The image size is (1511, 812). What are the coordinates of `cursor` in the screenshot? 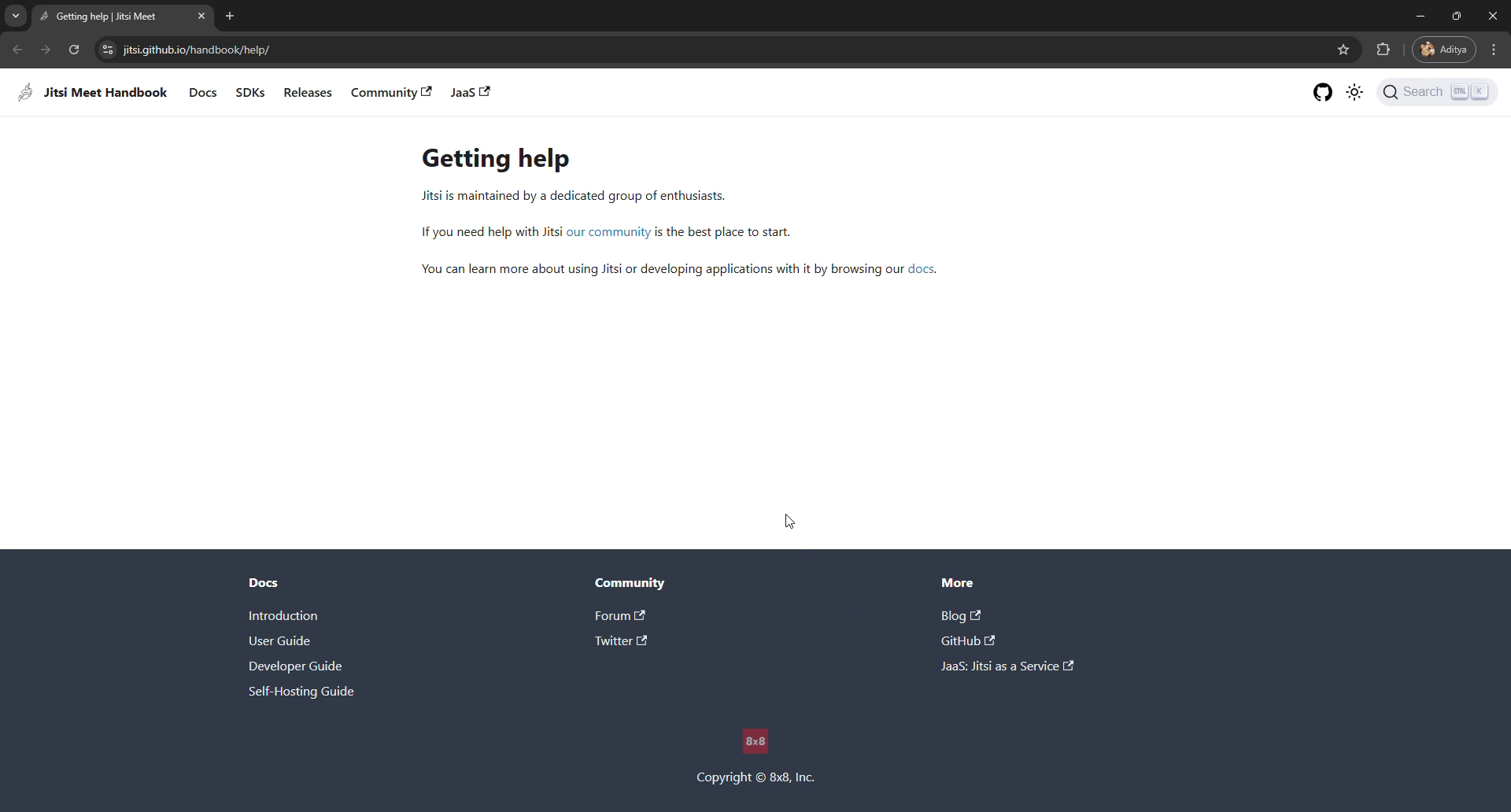 It's located at (791, 523).